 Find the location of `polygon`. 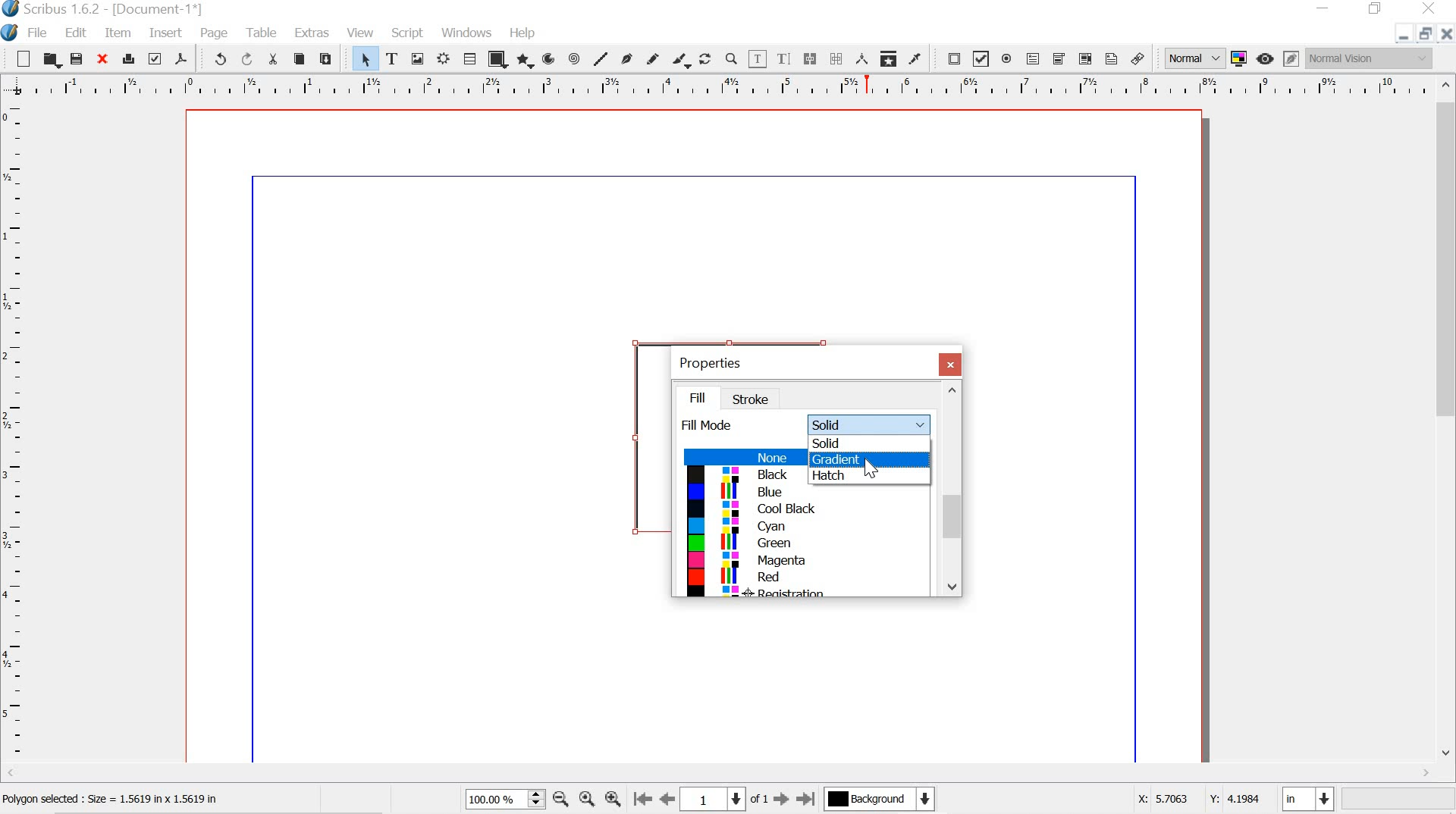

polygon is located at coordinates (526, 61).